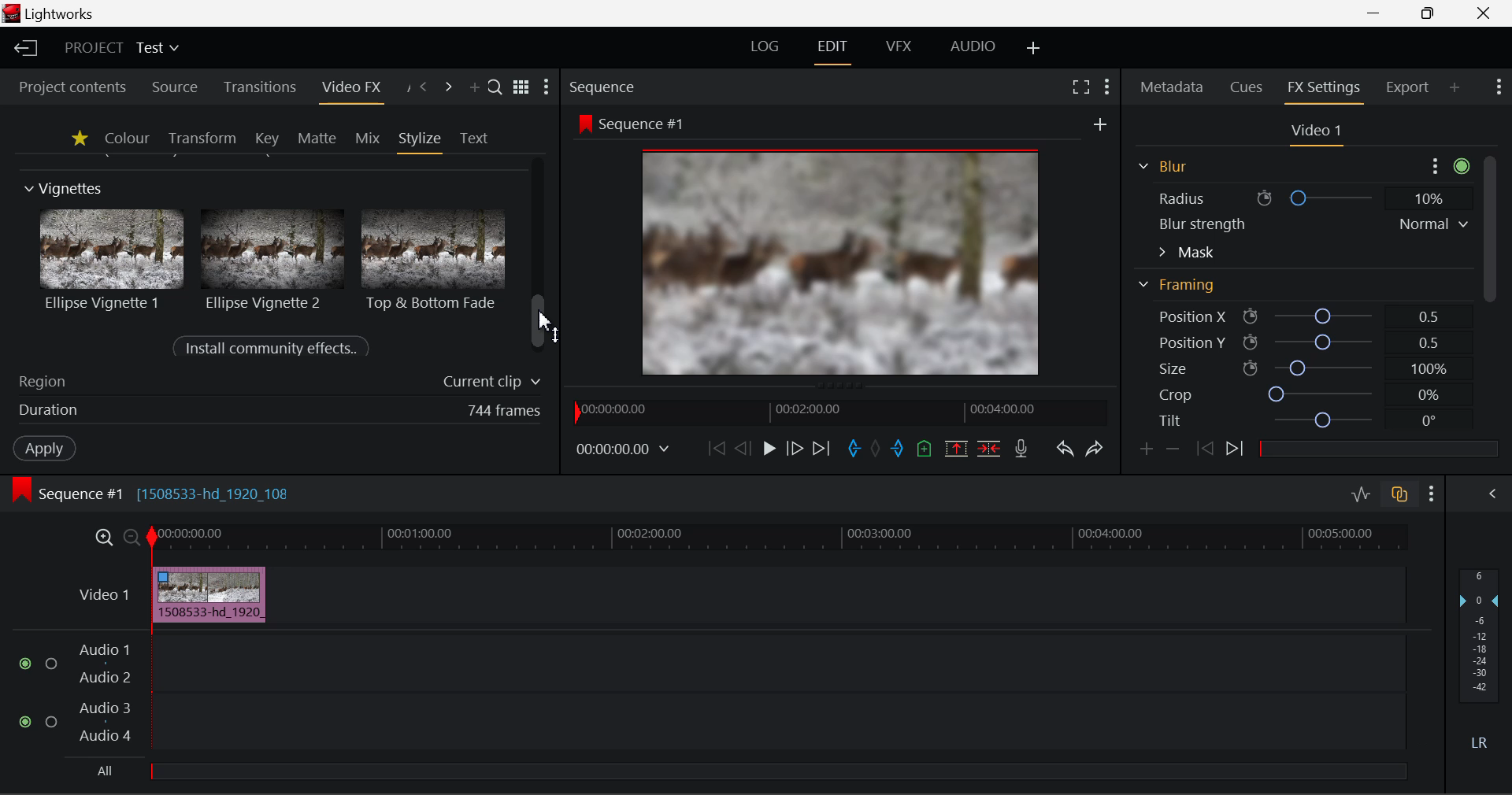  I want to click on Cursor DRAG_TO Effect on Clip, so click(209, 595).